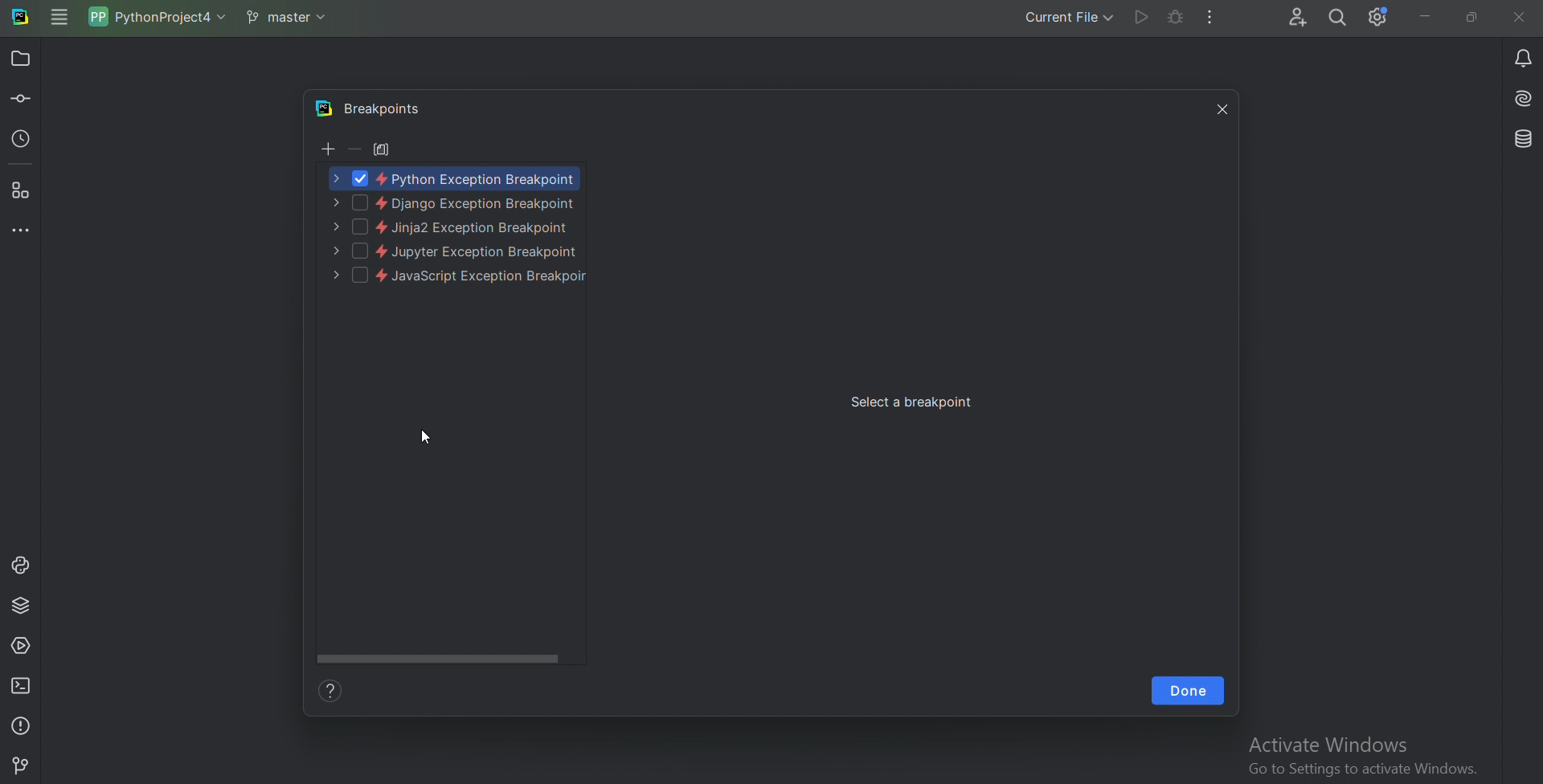  I want to click on Problems, so click(23, 724).